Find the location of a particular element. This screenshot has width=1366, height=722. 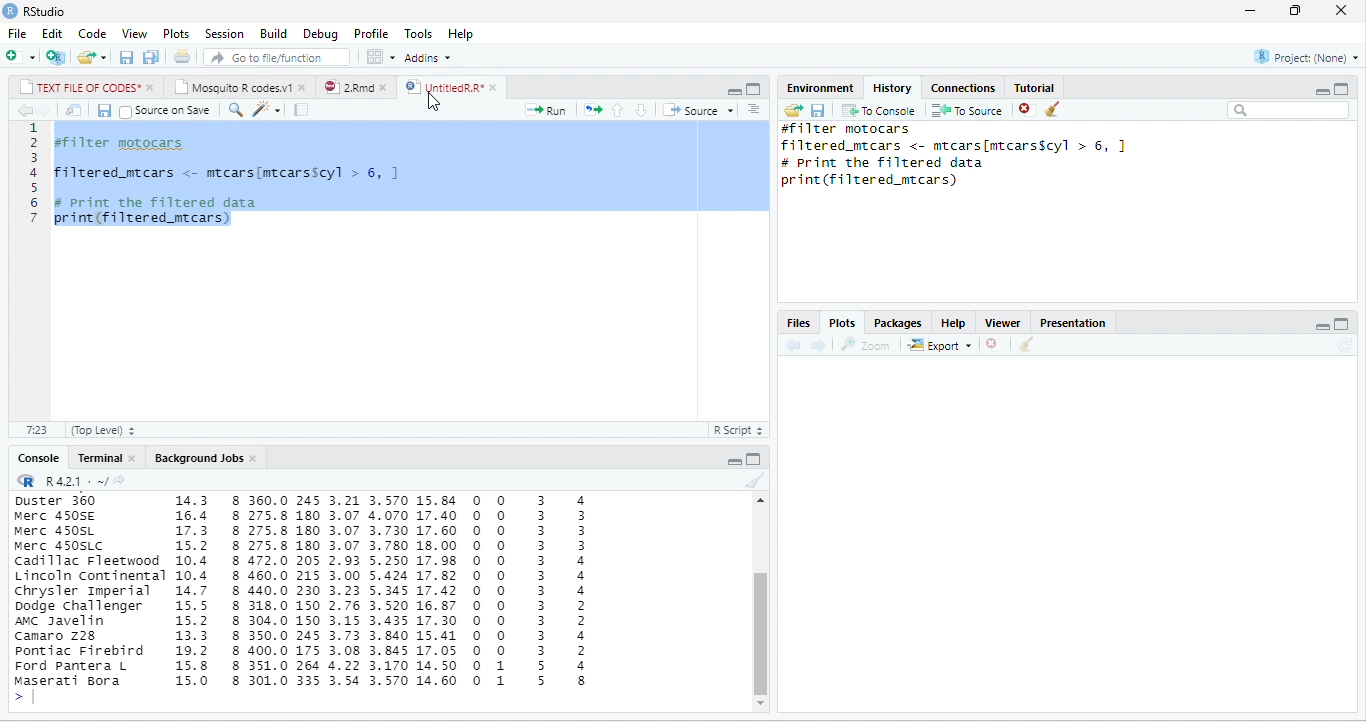

View is located at coordinates (135, 33).